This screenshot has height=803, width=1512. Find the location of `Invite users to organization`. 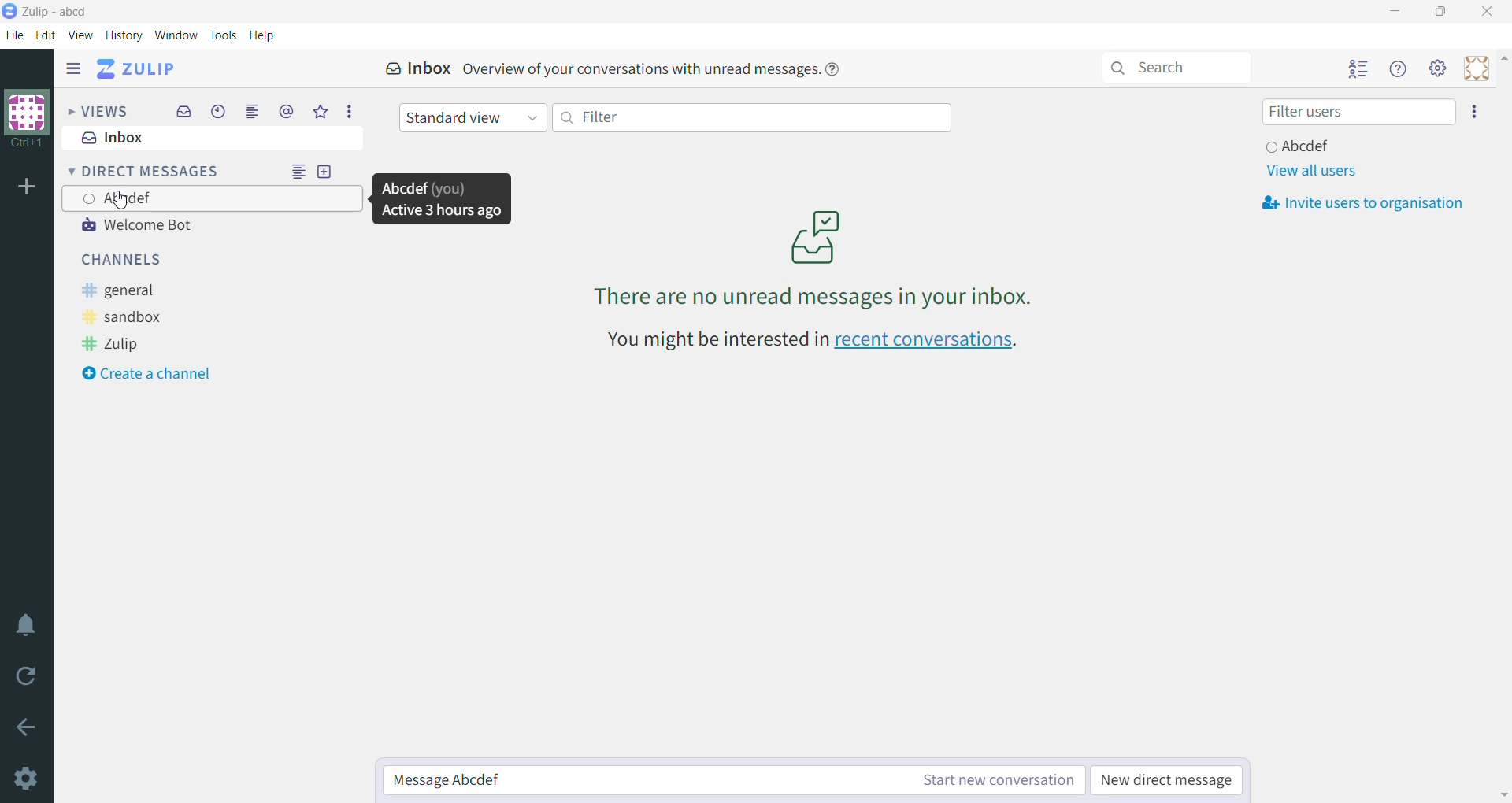

Invite users to organization is located at coordinates (1475, 113).